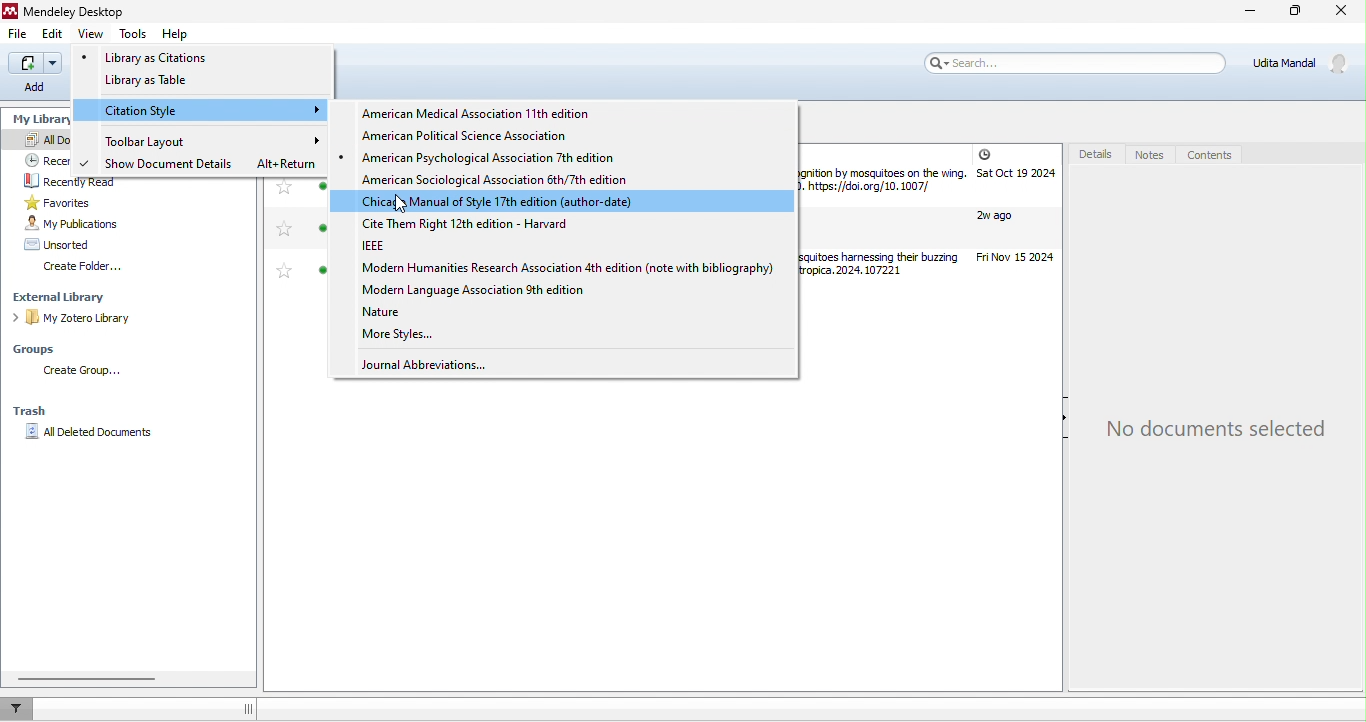 Image resolution: width=1366 pixels, height=722 pixels. Describe the element at coordinates (61, 185) in the screenshot. I see `recently read` at that location.